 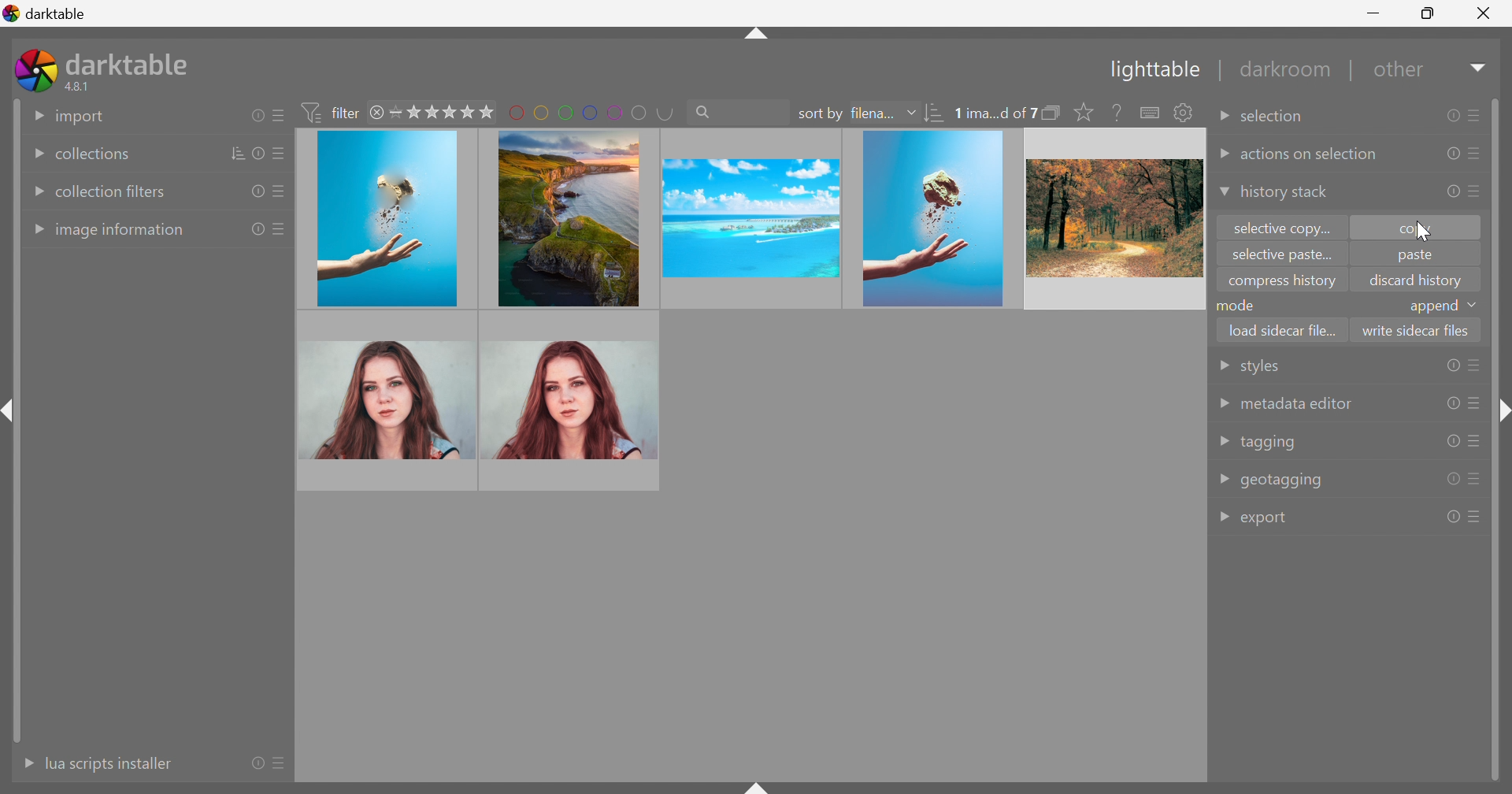 What do you see at coordinates (1432, 307) in the screenshot?
I see `append` at bounding box center [1432, 307].